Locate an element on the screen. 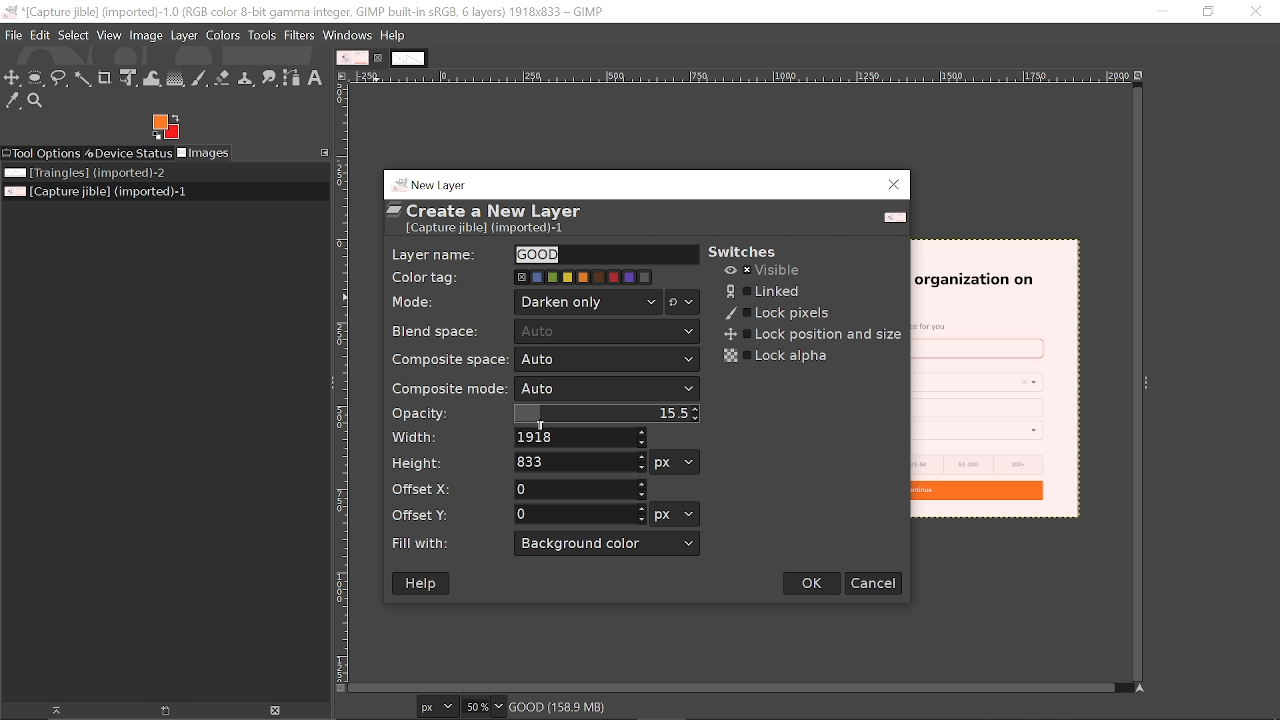  Fuzzy select tool is located at coordinates (81, 81).